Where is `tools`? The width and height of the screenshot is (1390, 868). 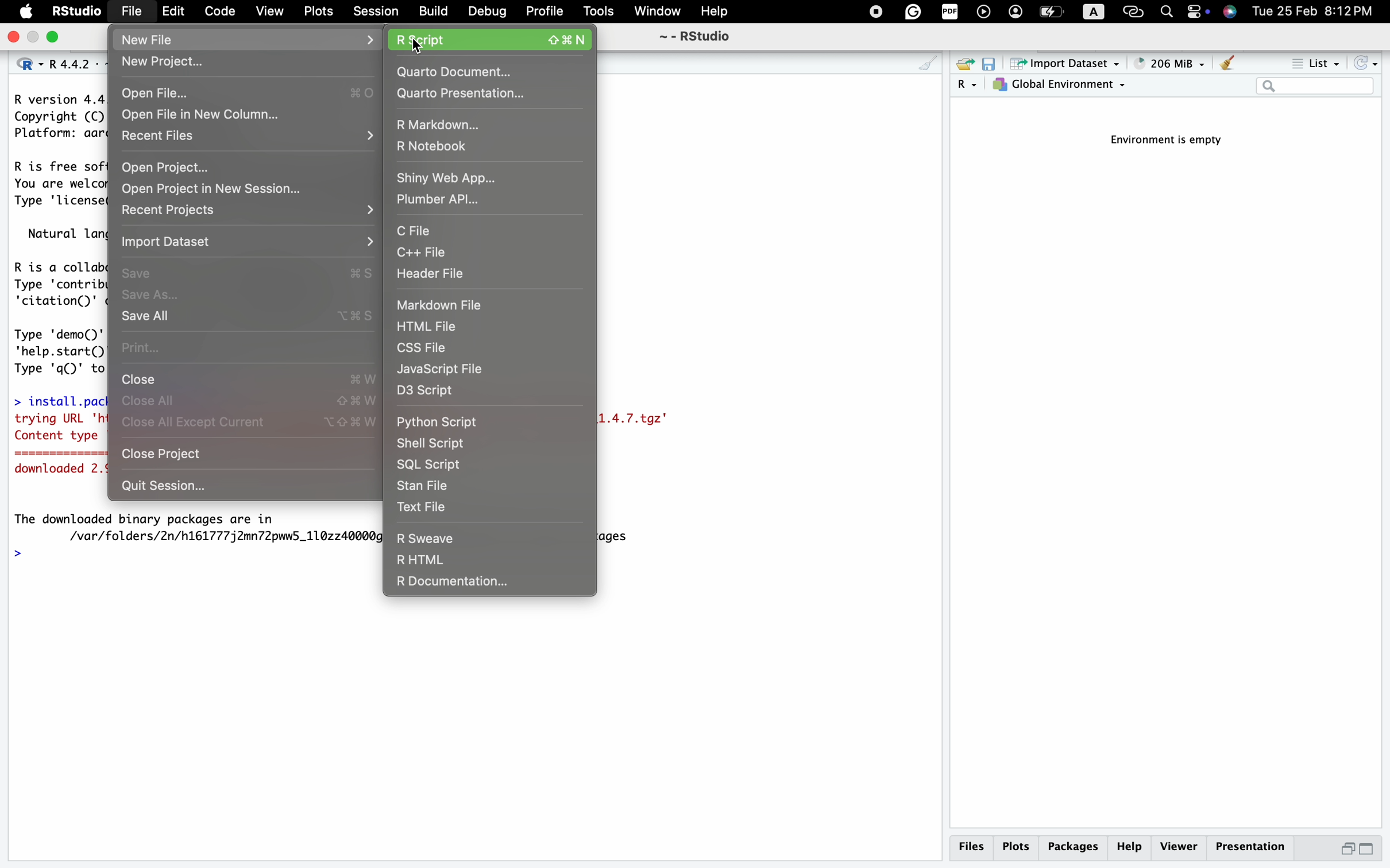 tools is located at coordinates (600, 11).